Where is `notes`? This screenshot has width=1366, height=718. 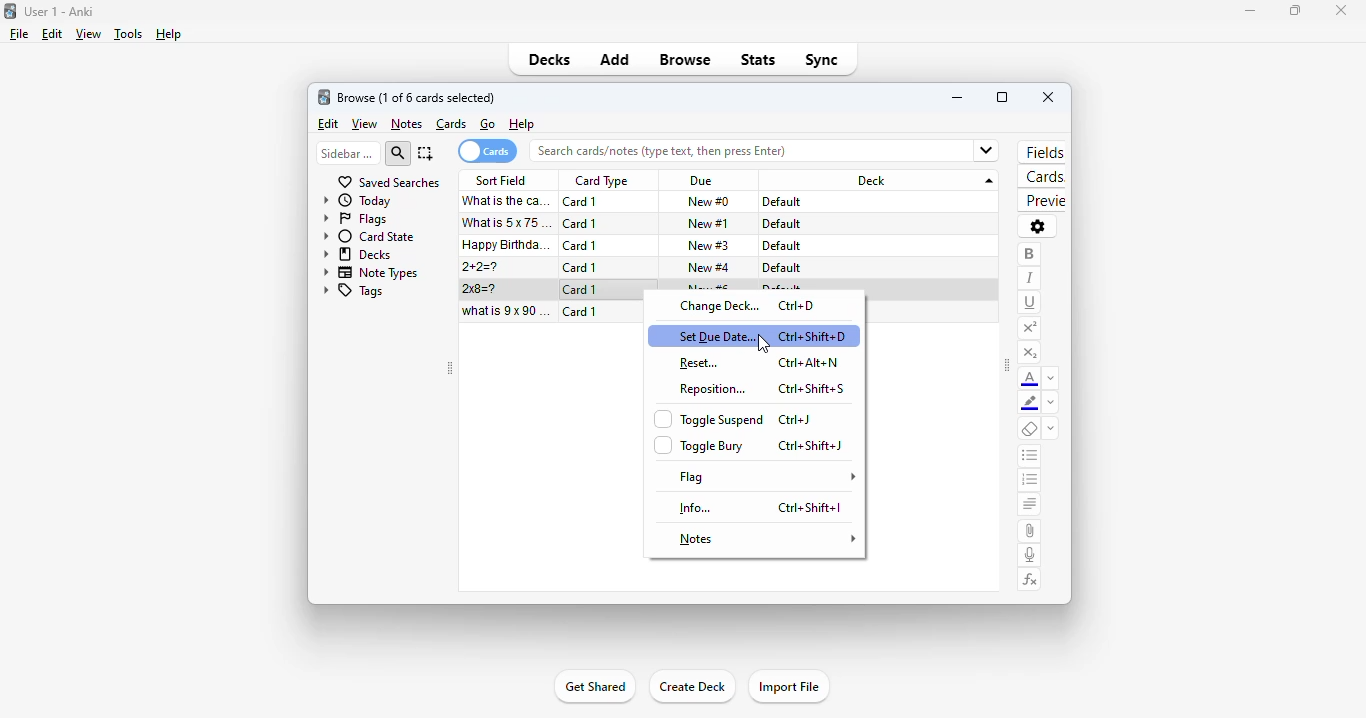
notes is located at coordinates (767, 538).